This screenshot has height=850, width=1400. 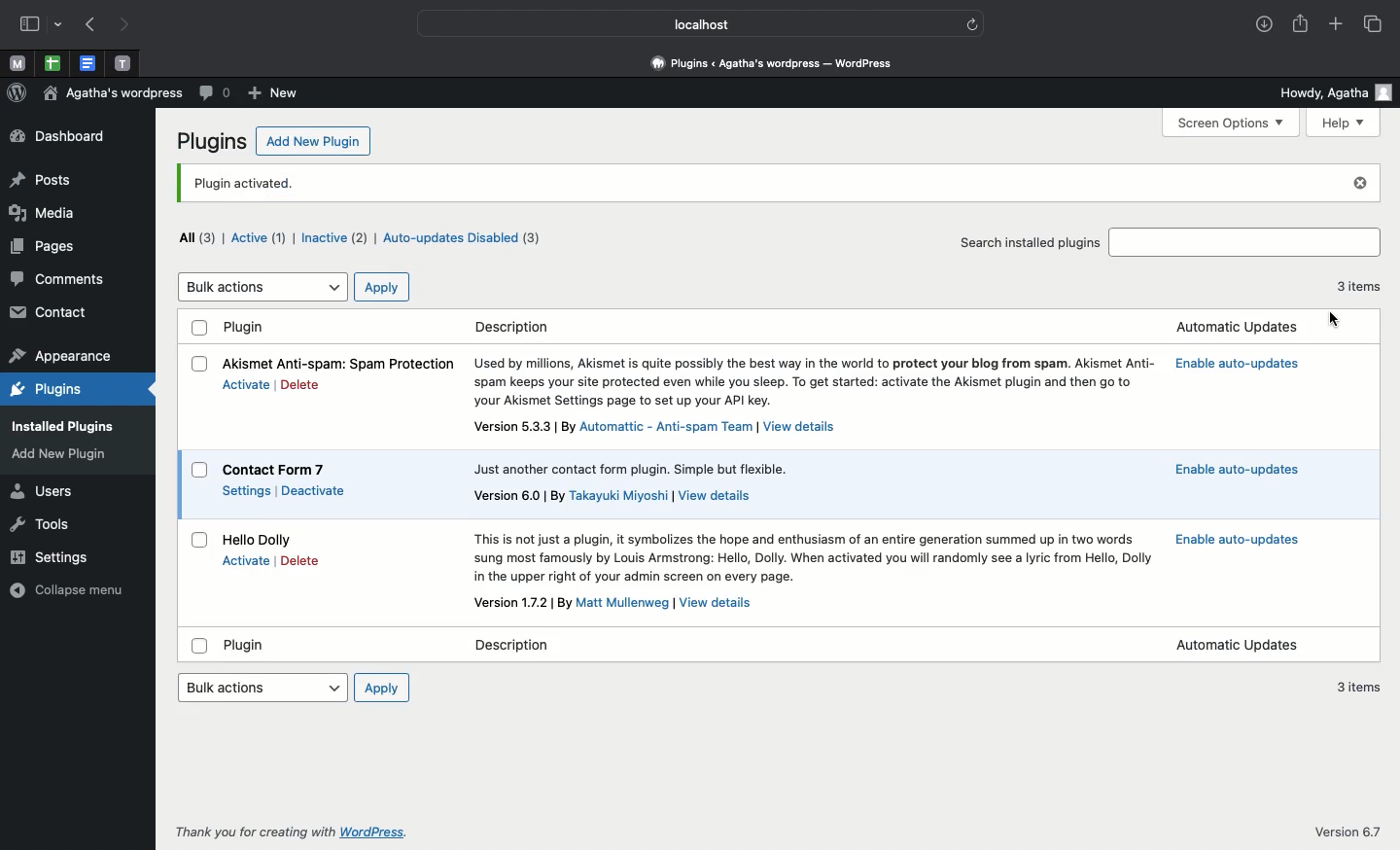 What do you see at coordinates (52, 314) in the screenshot?
I see `contact` at bounding box center [52, 314].